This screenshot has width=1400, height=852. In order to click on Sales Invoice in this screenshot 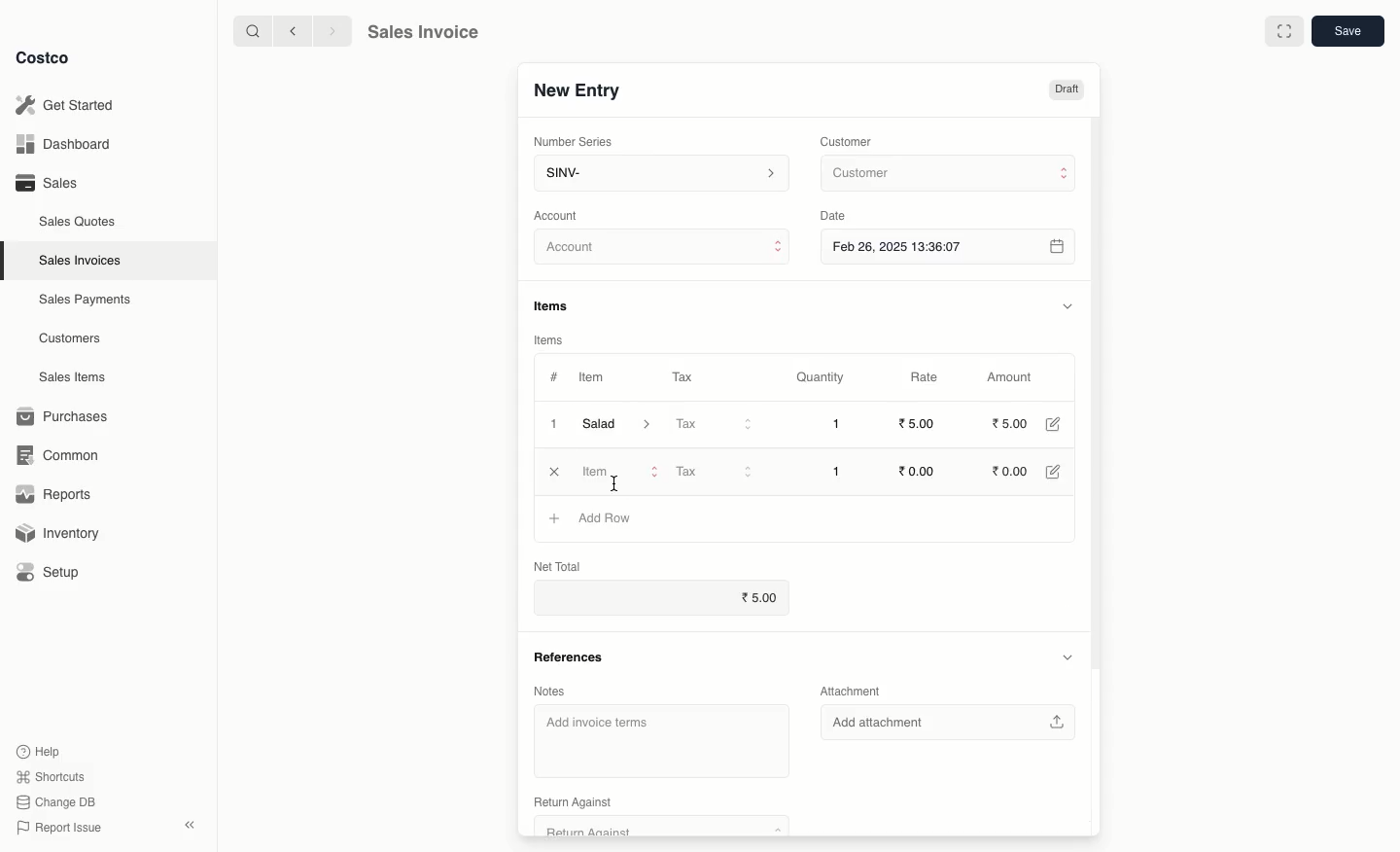, I will do `click(423, 34)`.